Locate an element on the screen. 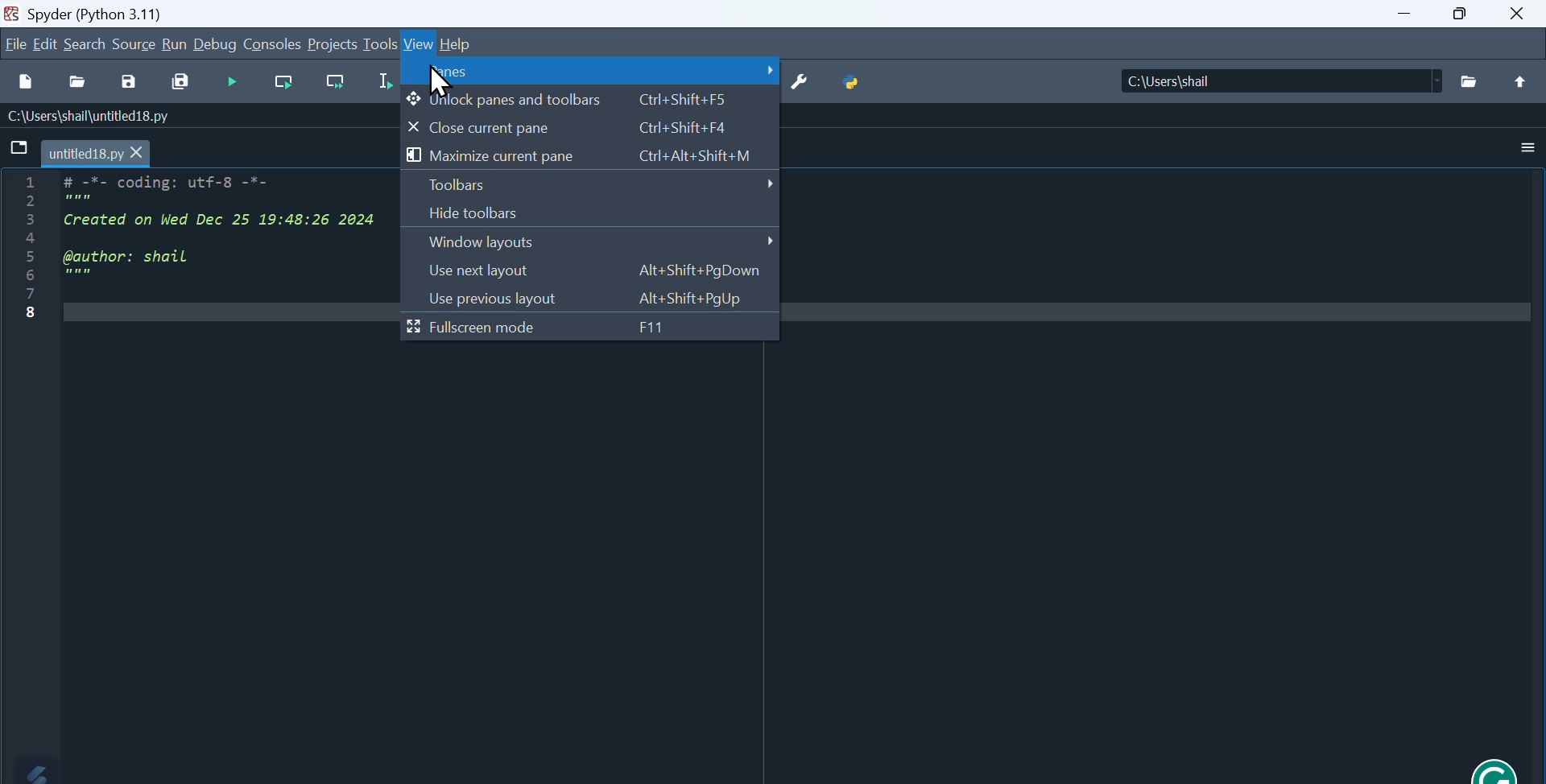 The height and width of the screenshot is (784, 1546). Run is located at coordinates (177, 46).